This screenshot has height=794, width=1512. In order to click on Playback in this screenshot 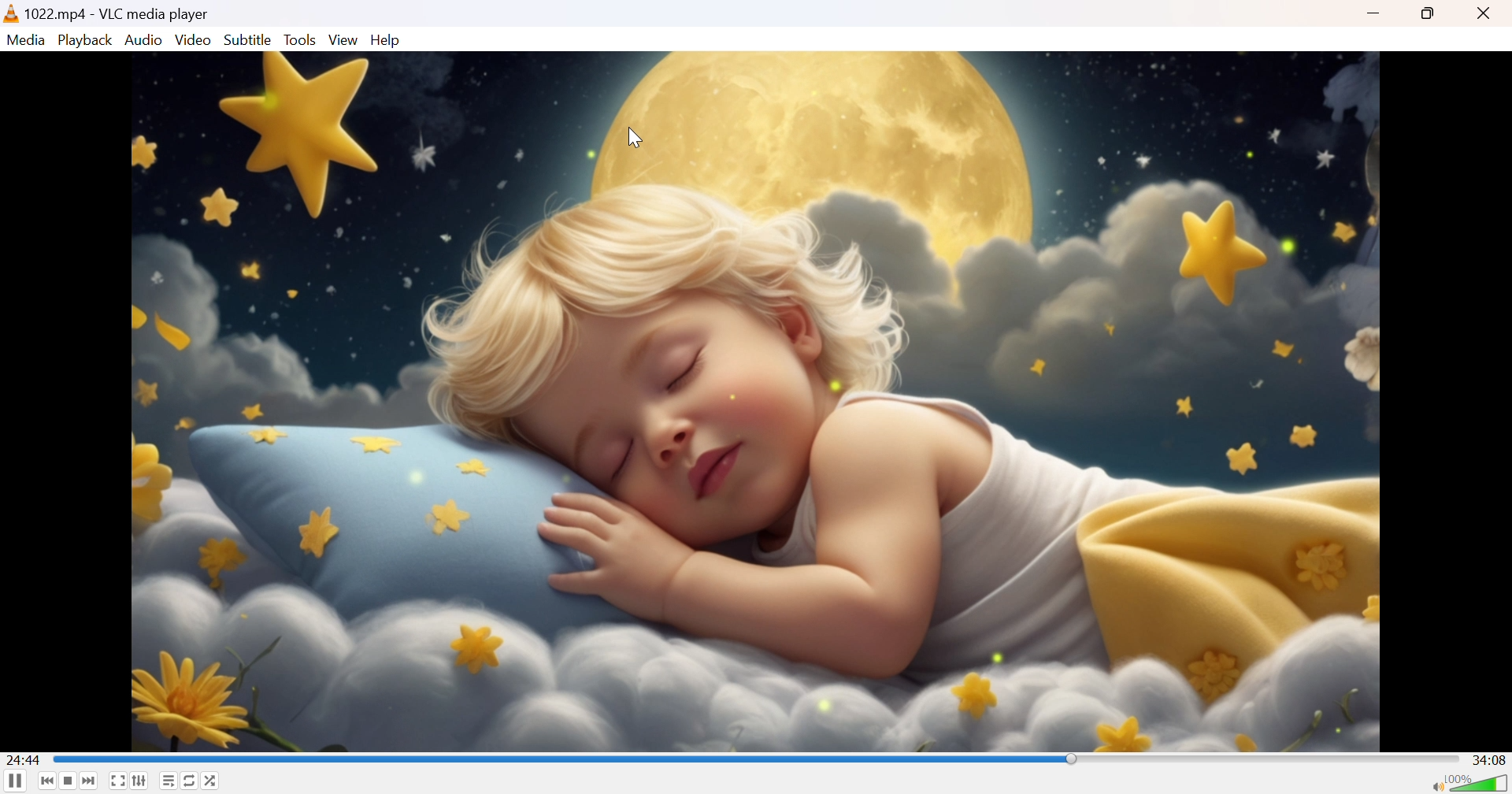, I will do `click(87, 40)`.